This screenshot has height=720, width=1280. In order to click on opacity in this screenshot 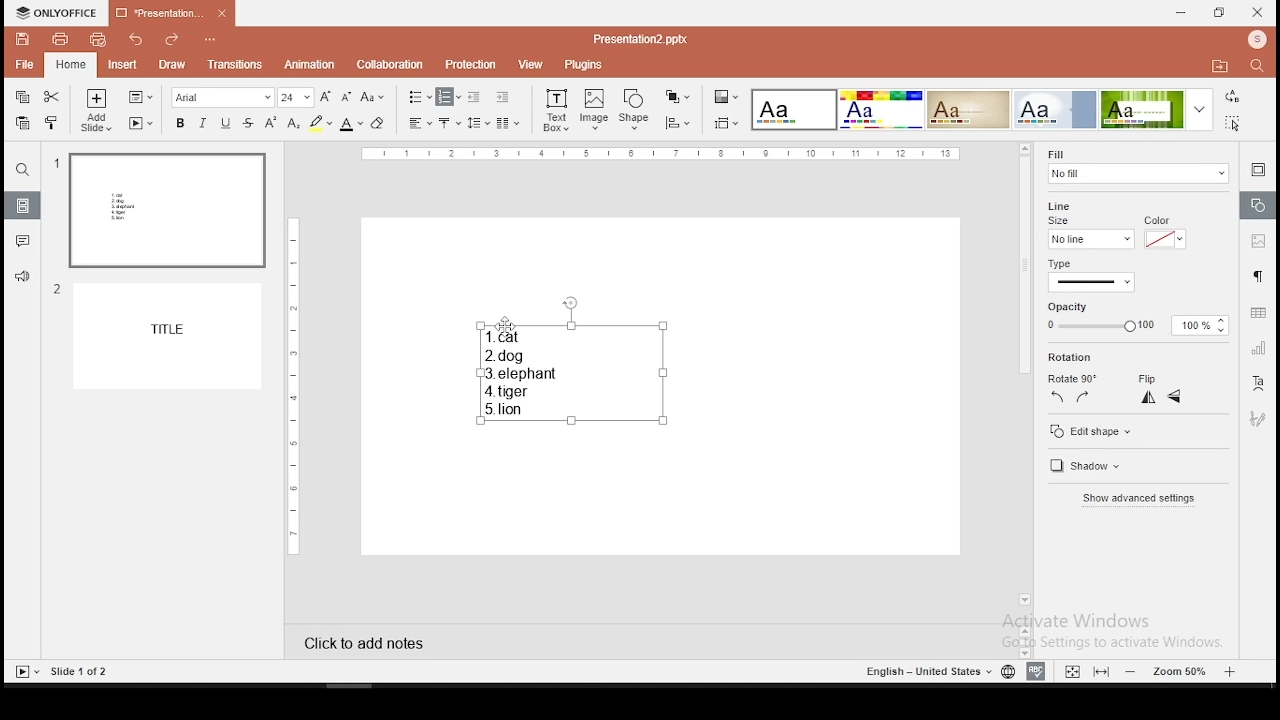, I will do `click(1138, 318)`.